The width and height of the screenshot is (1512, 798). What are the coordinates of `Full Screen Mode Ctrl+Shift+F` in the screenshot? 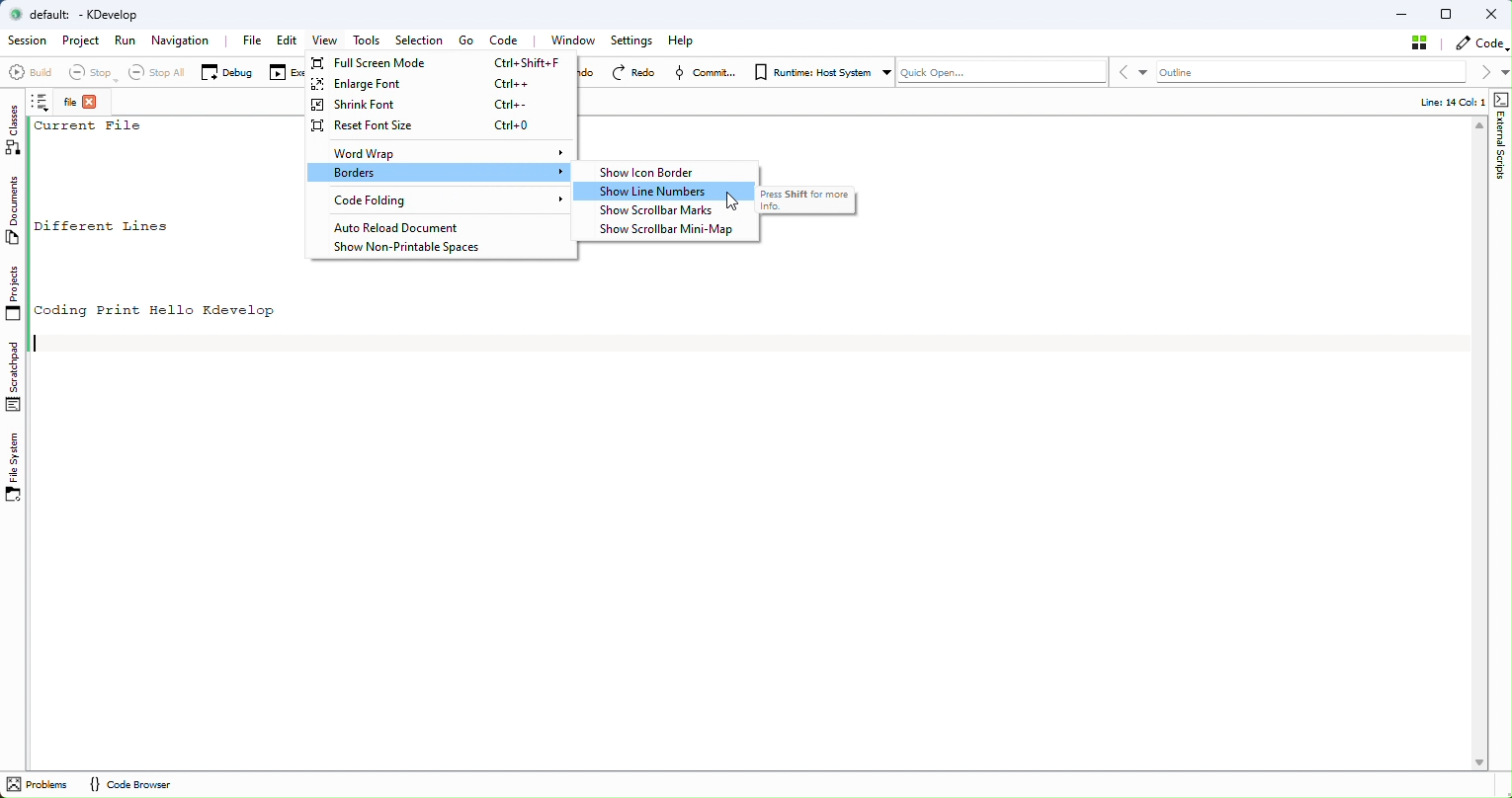 It's located at (442, 63).